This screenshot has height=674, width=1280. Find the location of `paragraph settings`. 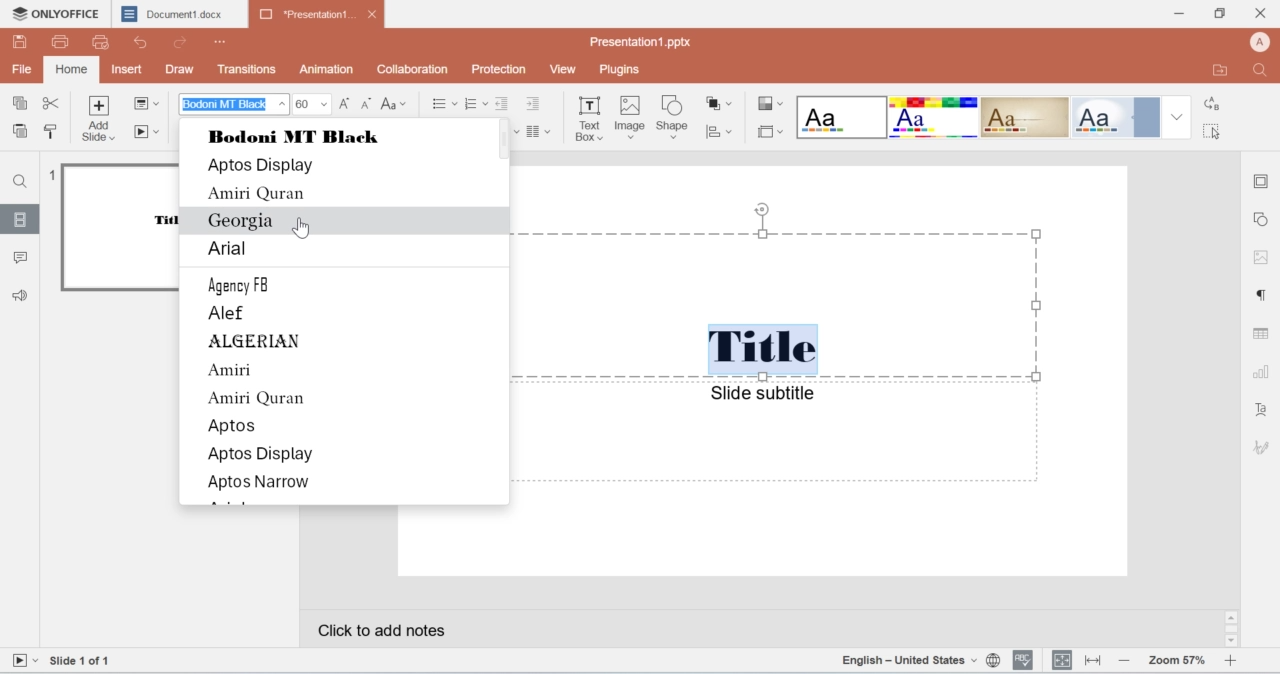

paragraph settings is located at coordinates (1259, 295).